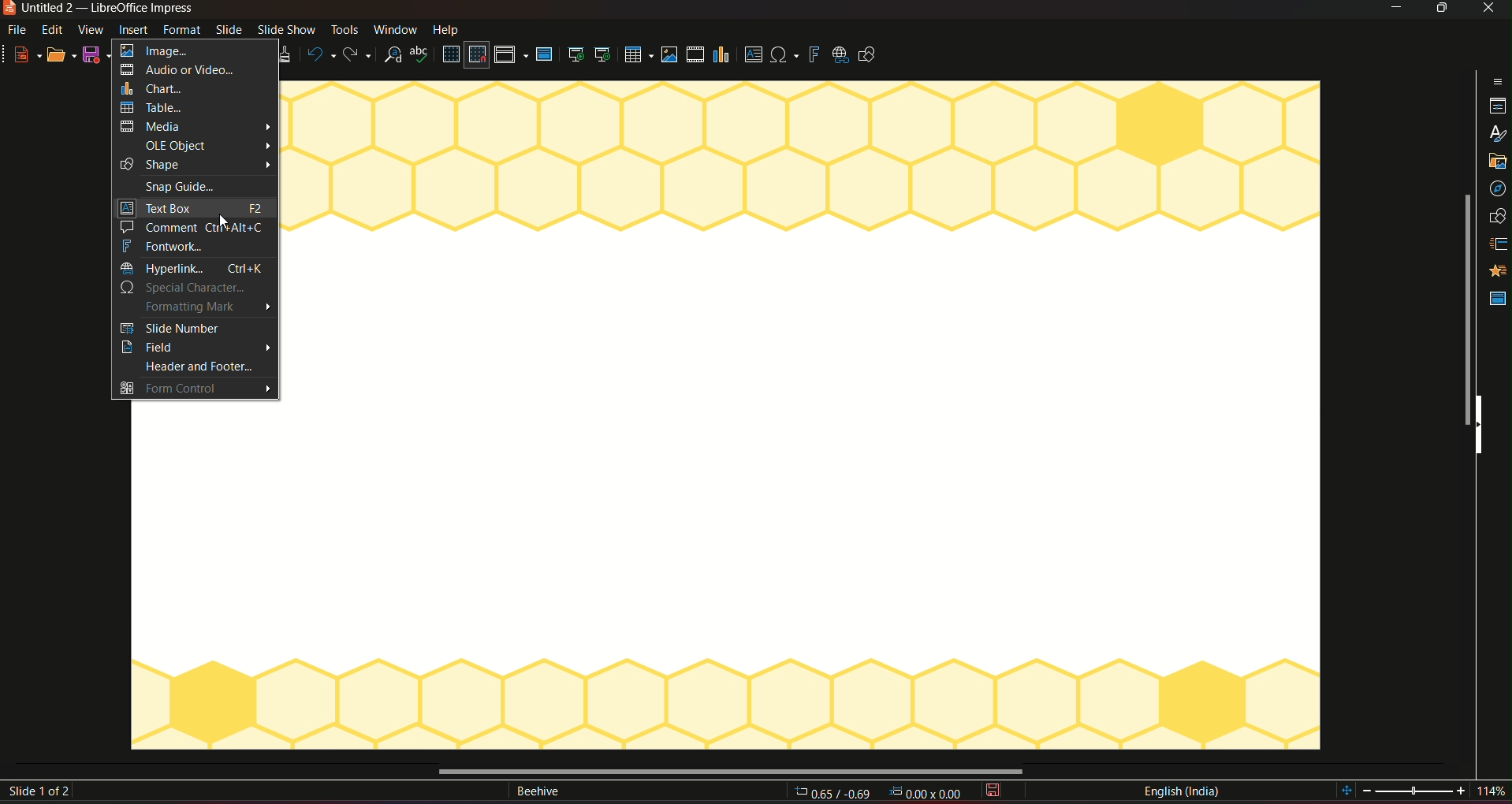 The image size is (1512, 804). What do you see at coordinates (286, 31) in the screenshot?
I see `slideshow` at bounding box center [286, 31].